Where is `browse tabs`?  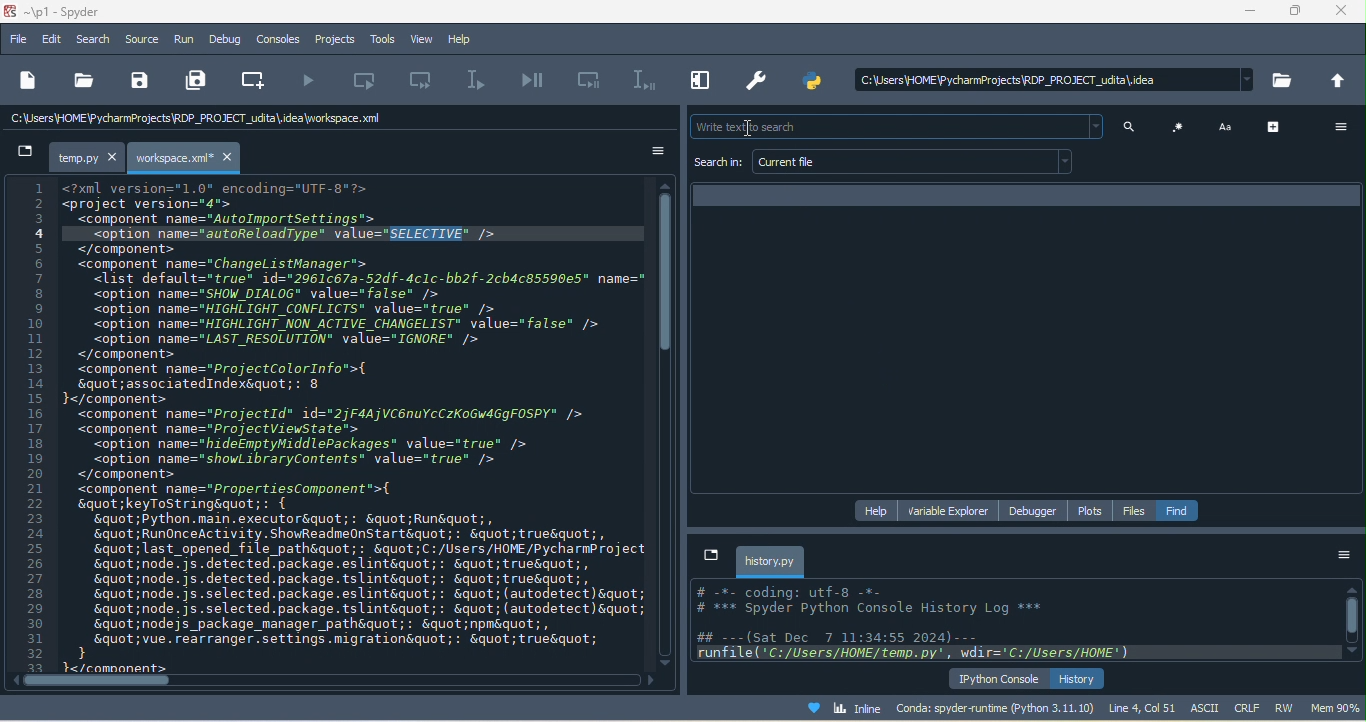
browse tabs is located at coordinates (24, 155).